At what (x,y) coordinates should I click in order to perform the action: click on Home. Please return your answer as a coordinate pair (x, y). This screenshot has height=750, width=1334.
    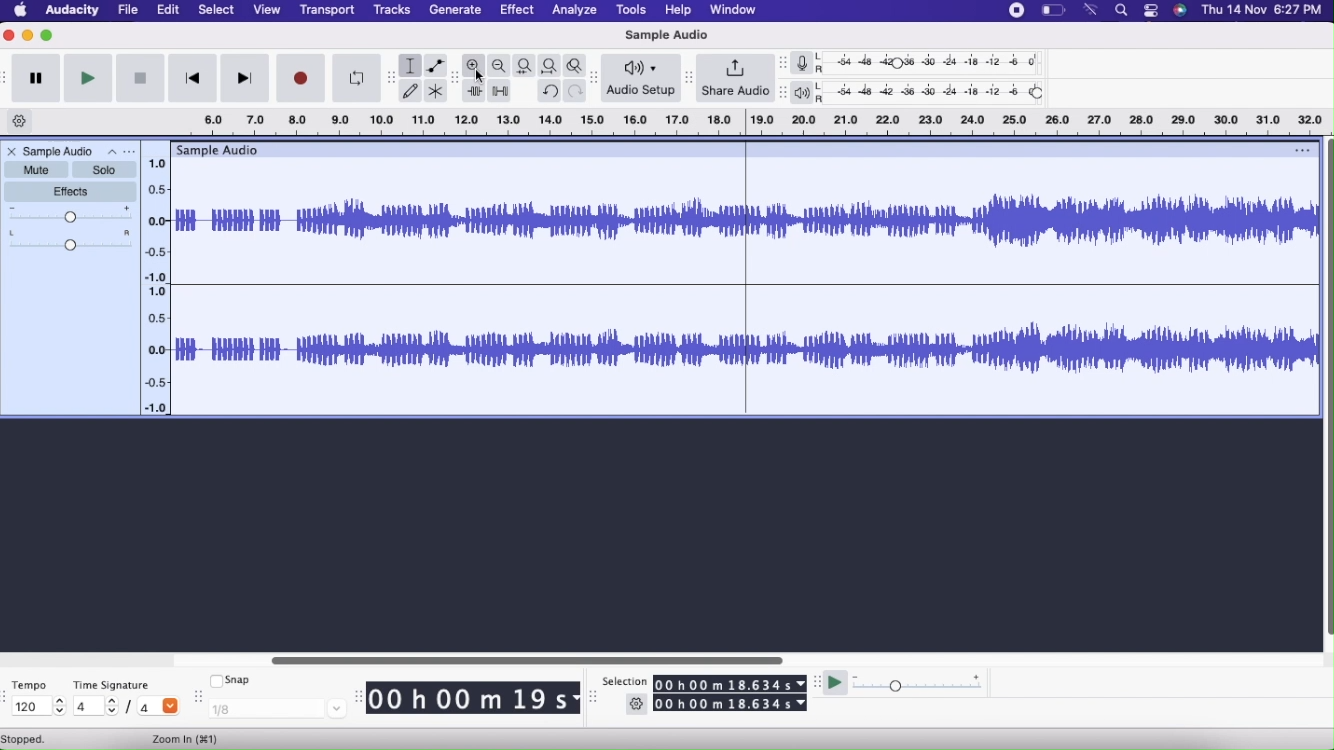
    Looking at the image, I should click on (20, 11).